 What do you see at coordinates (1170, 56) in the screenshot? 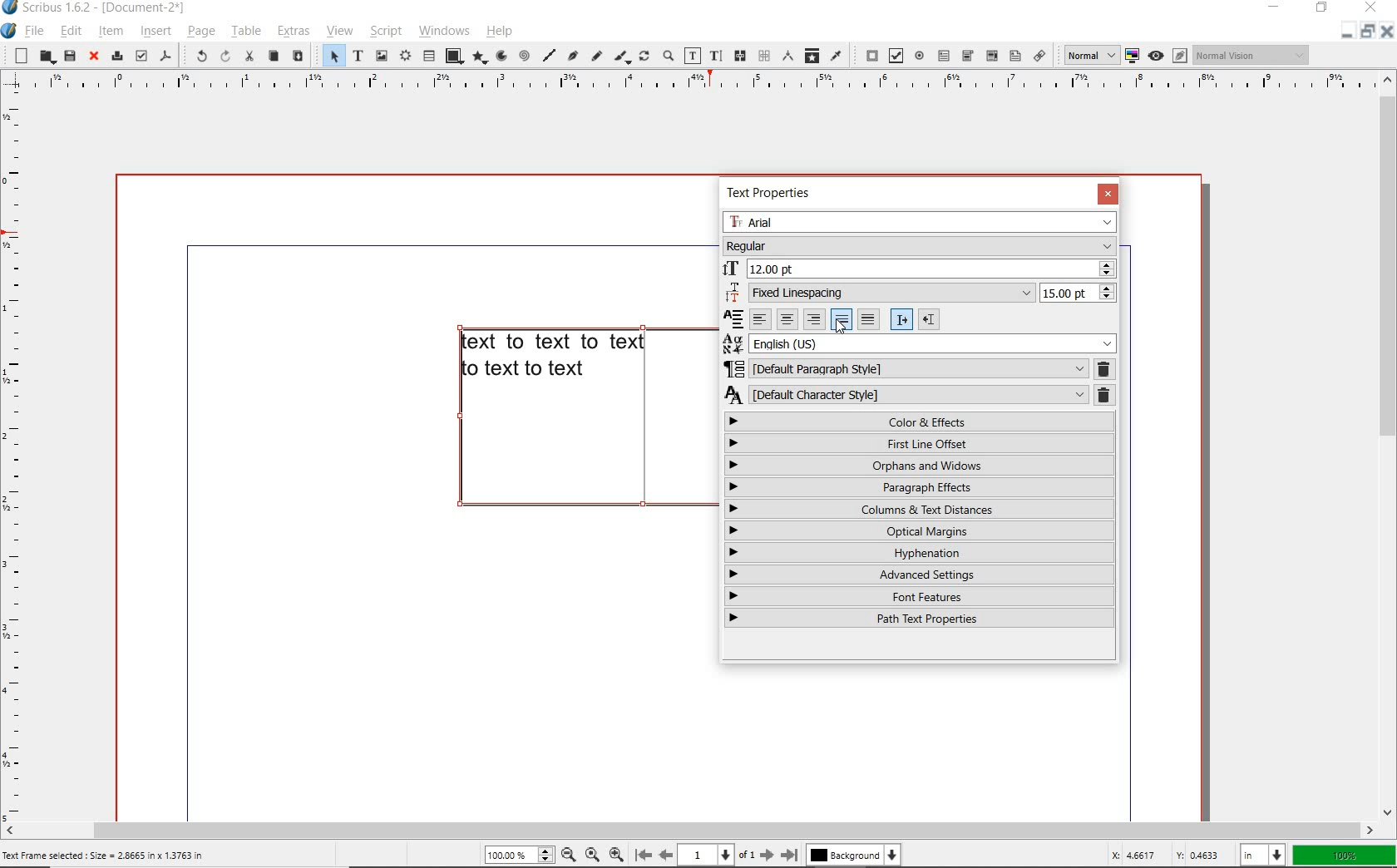
I see `preview mode` at bounding box center [1170, 56].